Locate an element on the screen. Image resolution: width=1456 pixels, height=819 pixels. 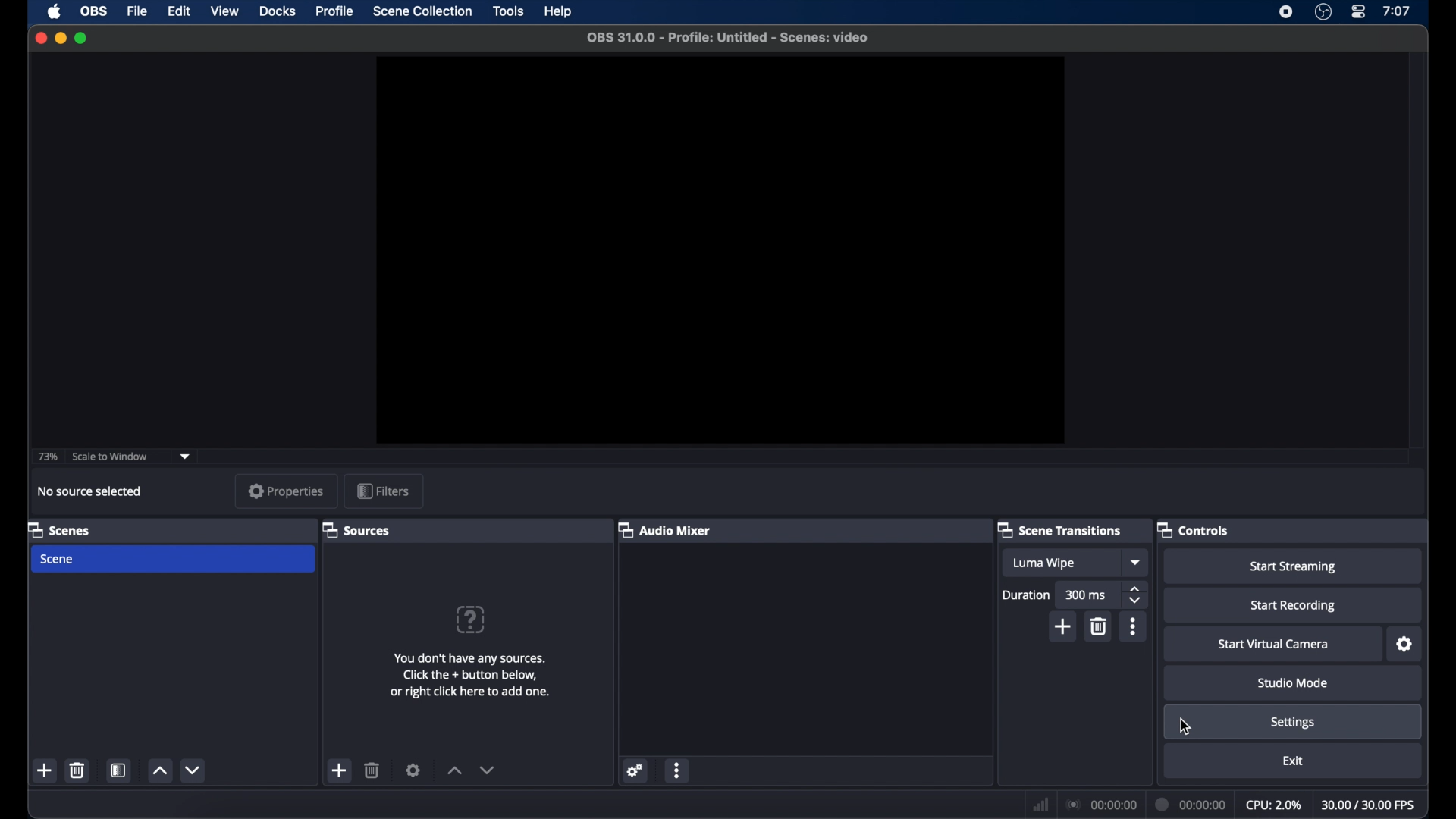
view is located at coordinates (226, 11).